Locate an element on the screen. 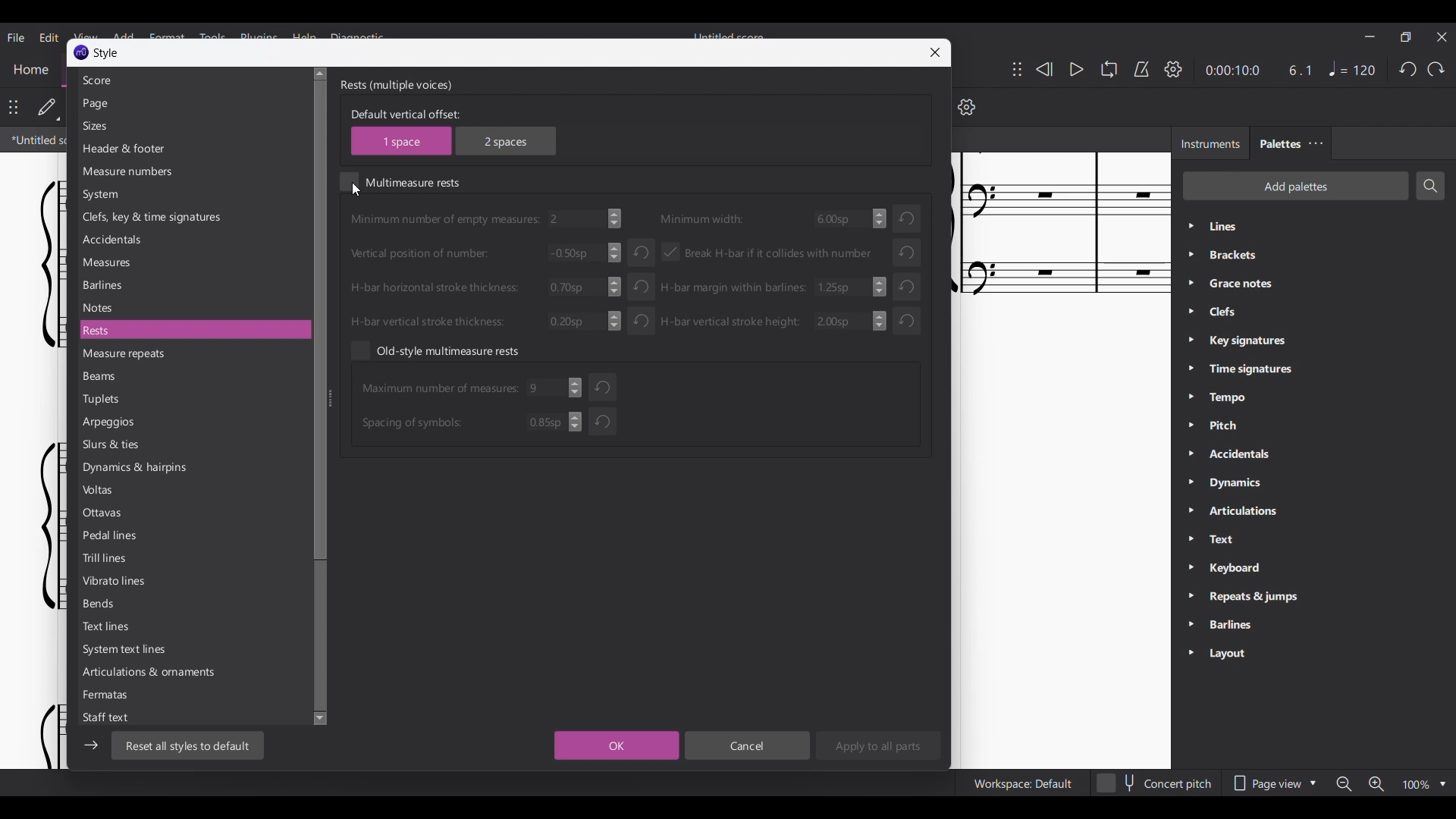  Undo is located at coordinates (1407, 70).